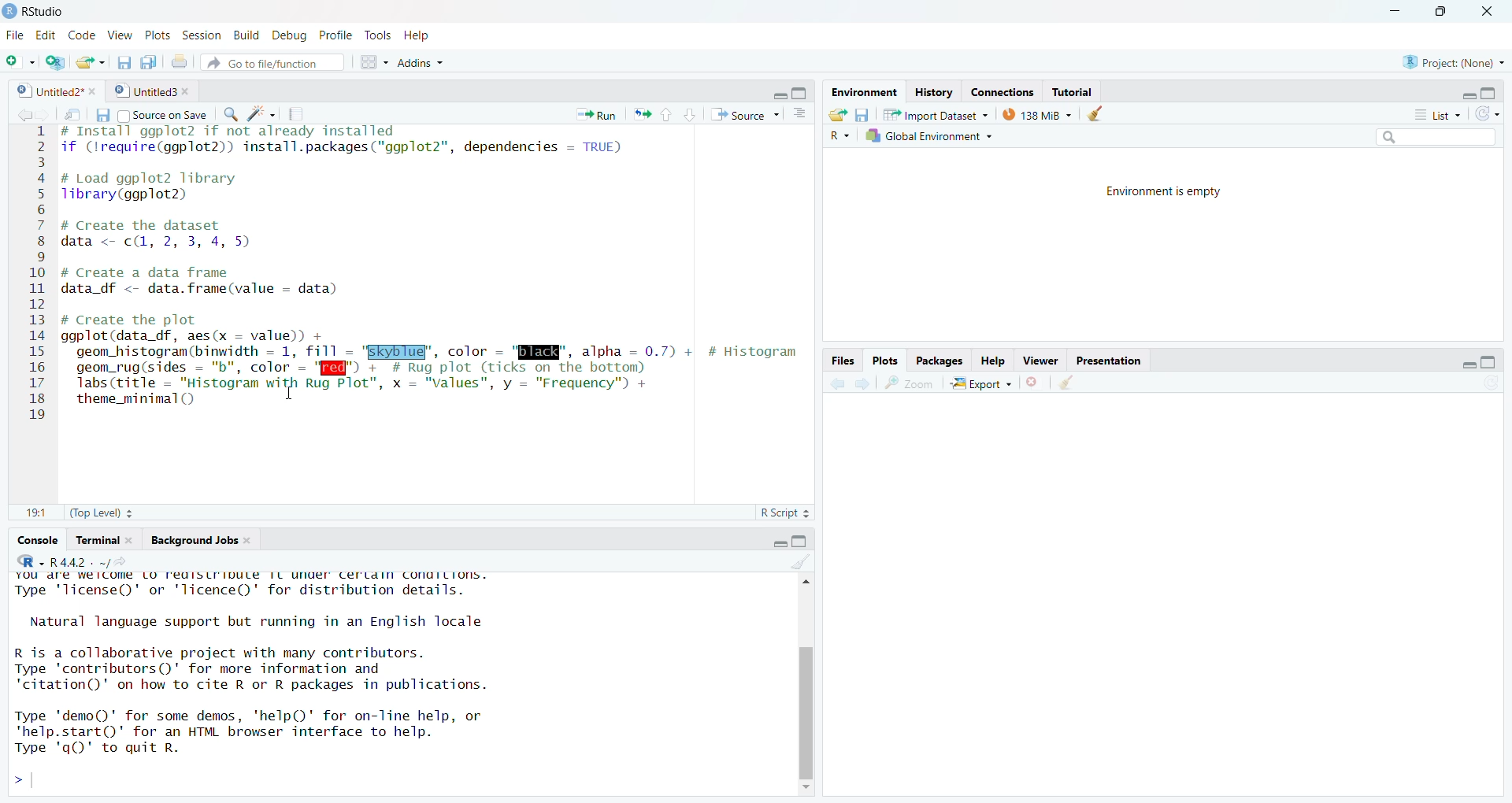 Image resolution: width=1512 pixels, height=803 pixels. What do you see at coordinates (1099, 113) in the screenshot?
I see `Clear environment` at bounding box center [1099, 113].